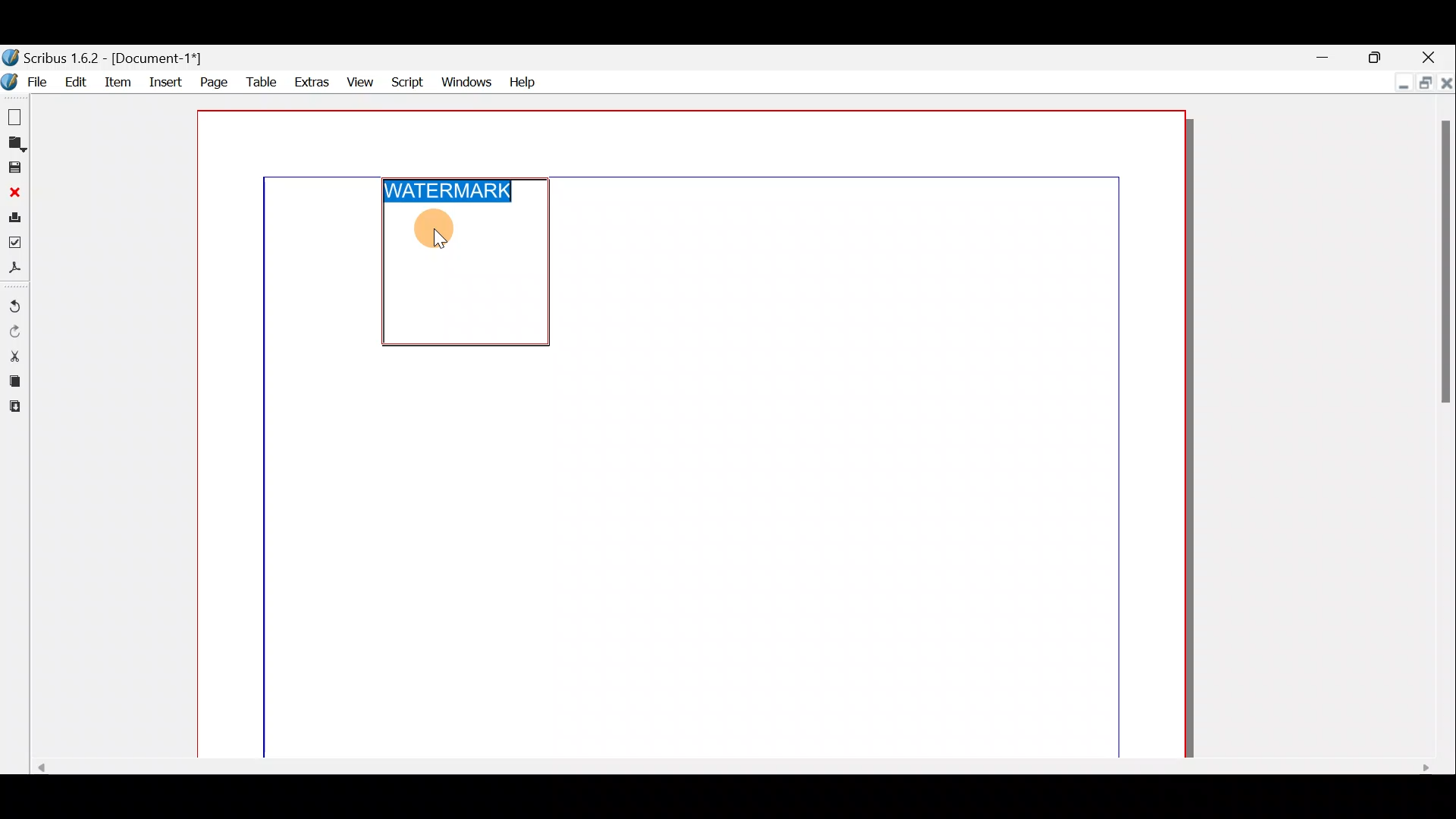  What do you see at coordinates (14, 356) in the screenshot?
I see `Cut` at bounding box center [14, 356].